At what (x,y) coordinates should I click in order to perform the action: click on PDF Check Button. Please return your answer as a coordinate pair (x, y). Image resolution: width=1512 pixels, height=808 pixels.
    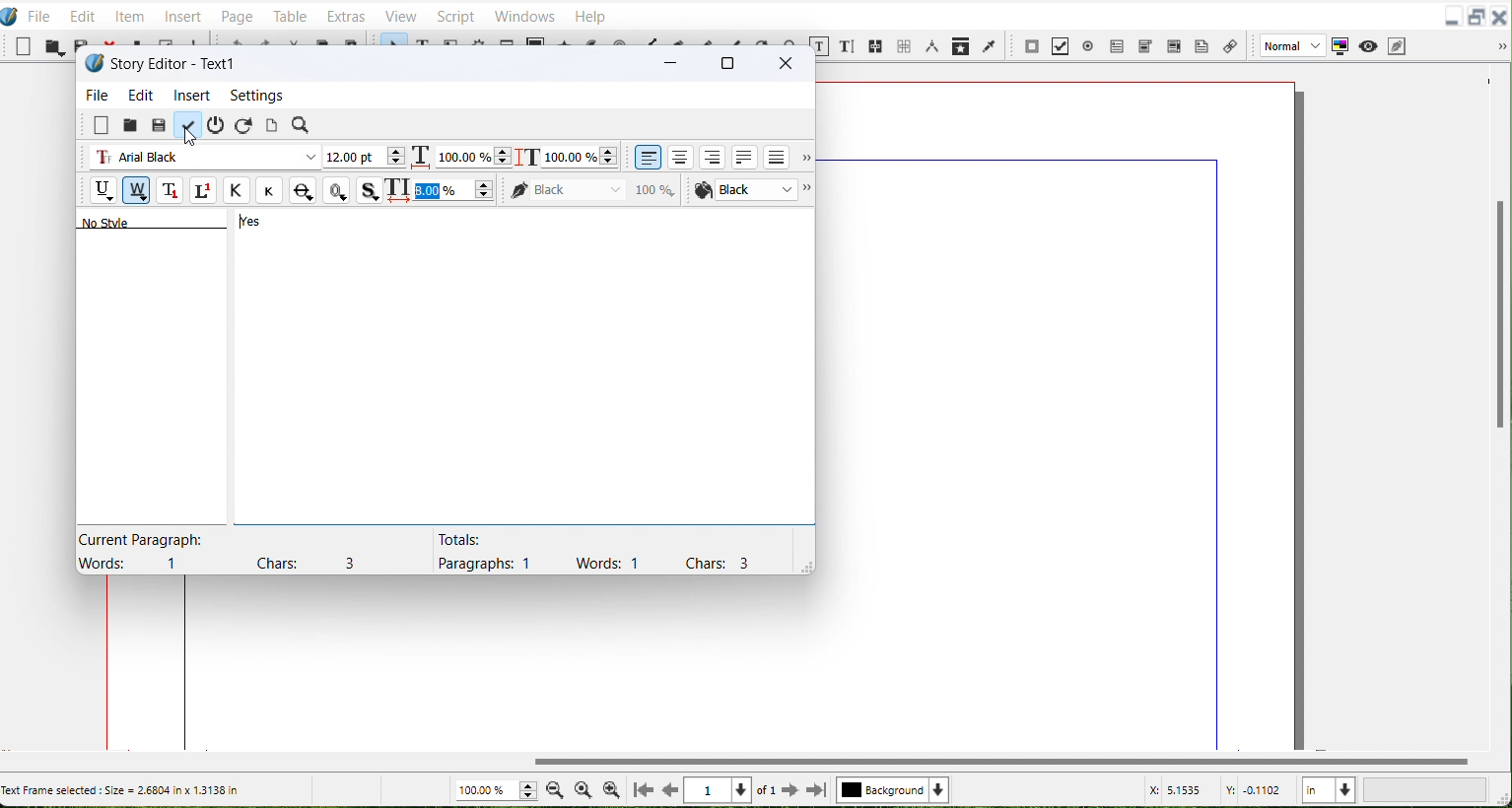
    Looking at the image, I should click on (1063, 45).